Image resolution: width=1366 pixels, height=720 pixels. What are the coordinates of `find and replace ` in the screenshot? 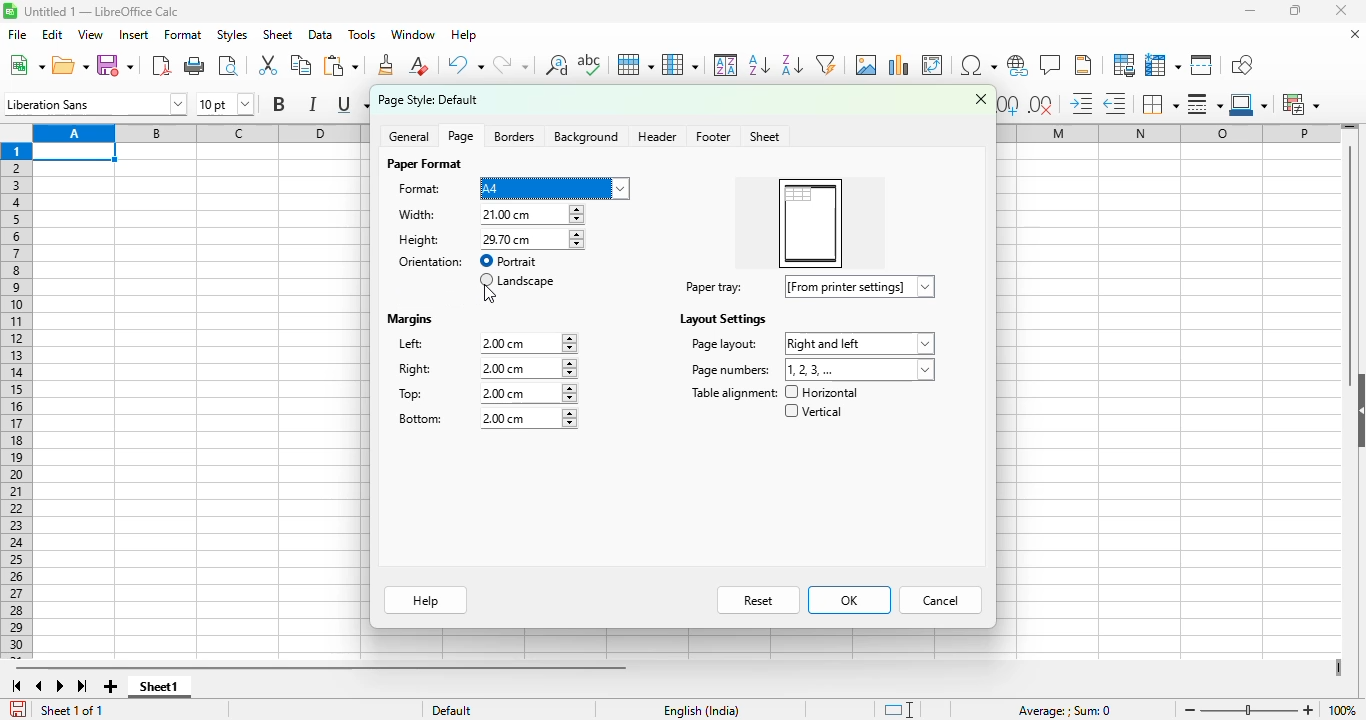 It's located at (557, 65).